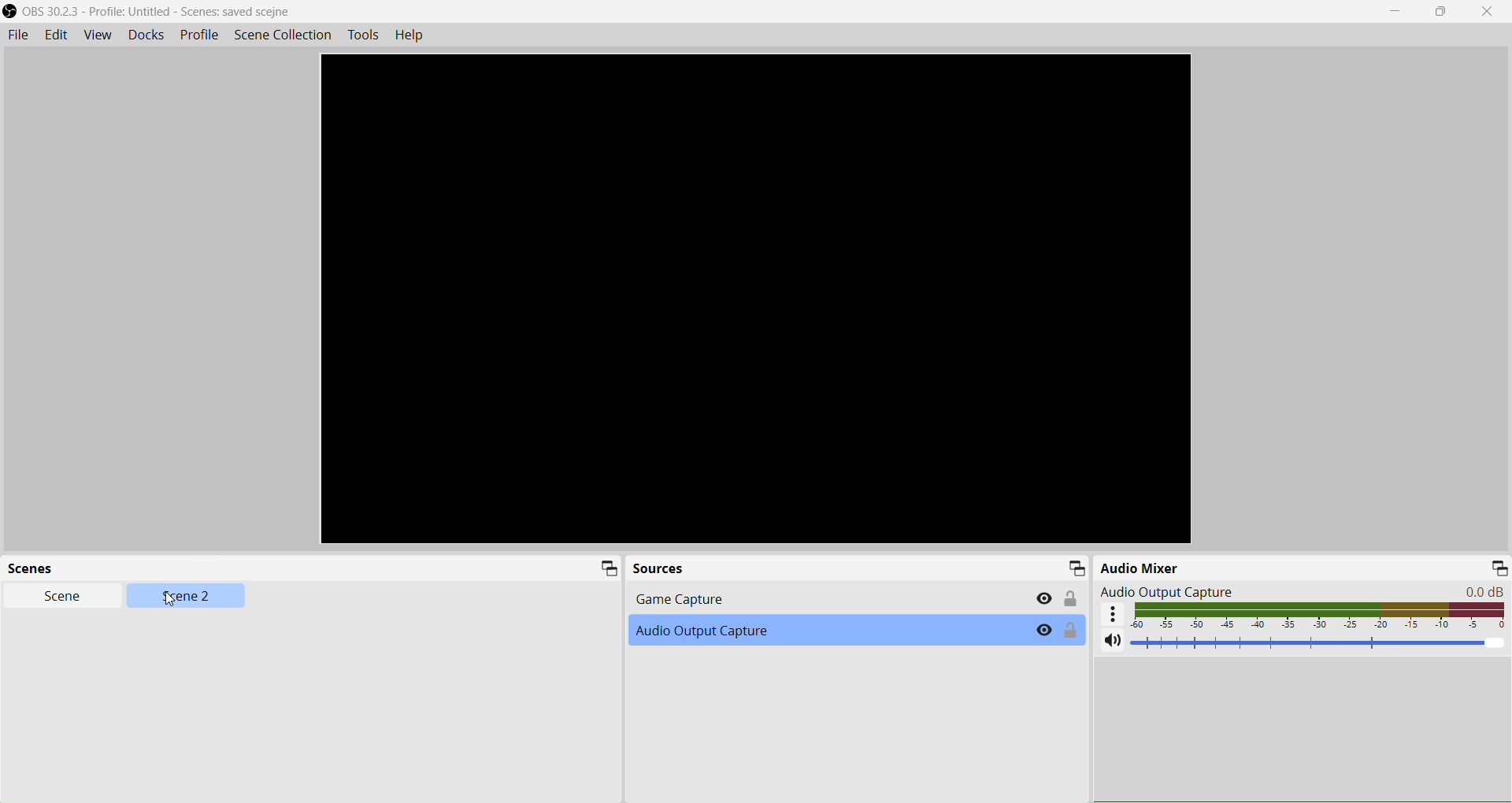  I want to click on Close, so click(1488, 12).